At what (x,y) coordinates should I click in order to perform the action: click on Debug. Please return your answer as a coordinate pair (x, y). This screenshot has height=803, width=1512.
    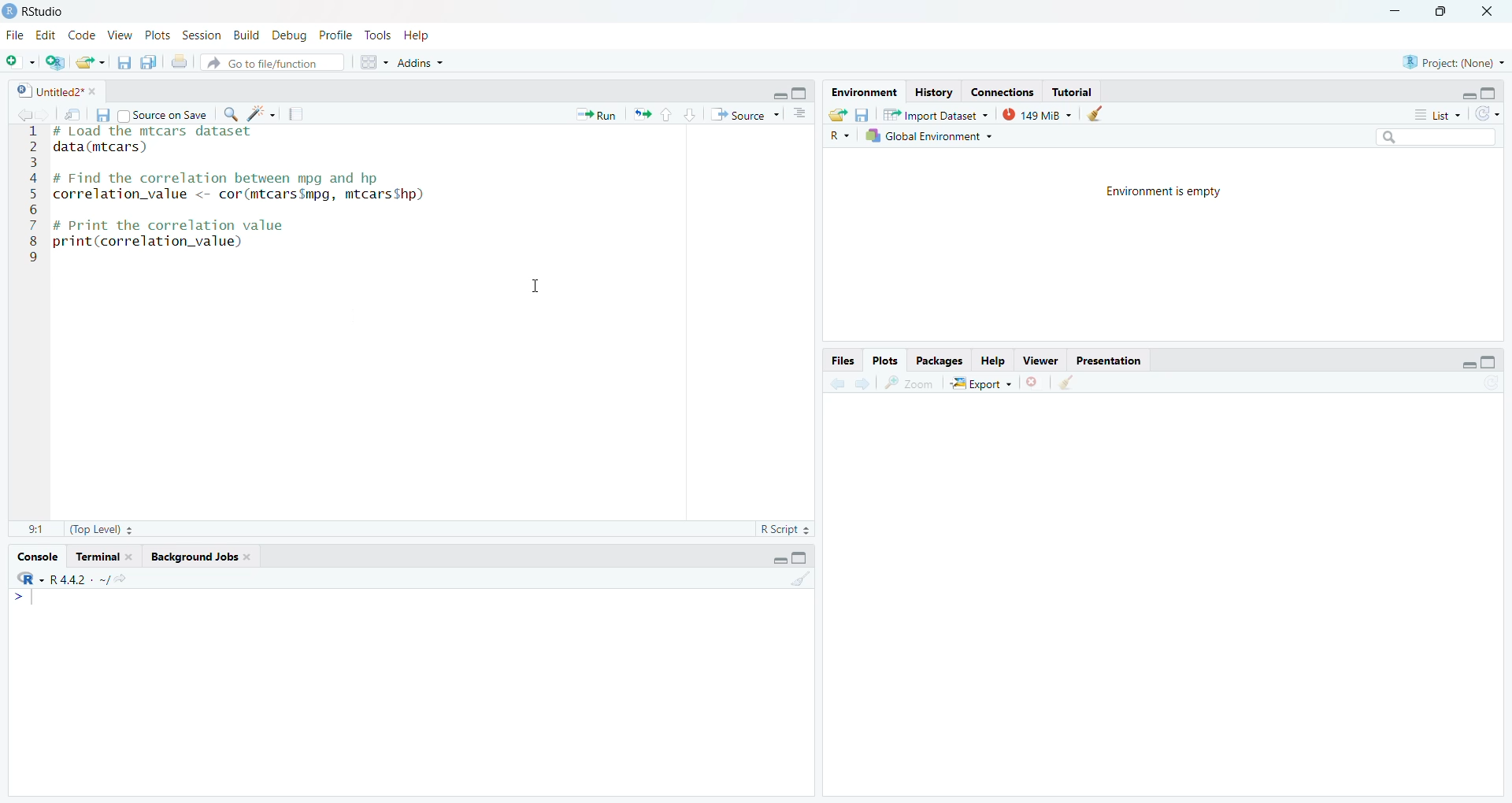
    Looking at the image, I should click on (287, 37).